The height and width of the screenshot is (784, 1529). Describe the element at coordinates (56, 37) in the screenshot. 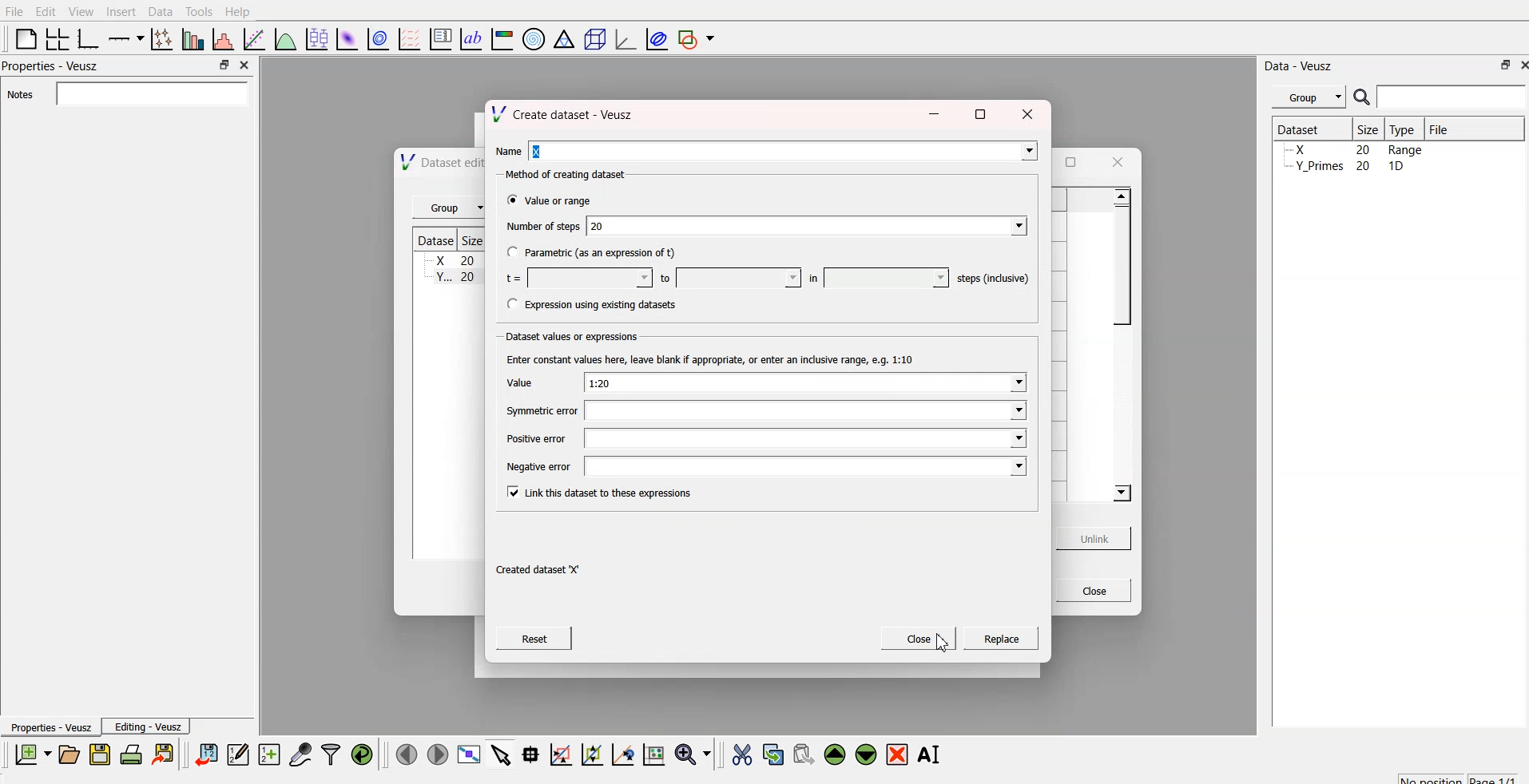

I see `arrange grid in graph` at that location.